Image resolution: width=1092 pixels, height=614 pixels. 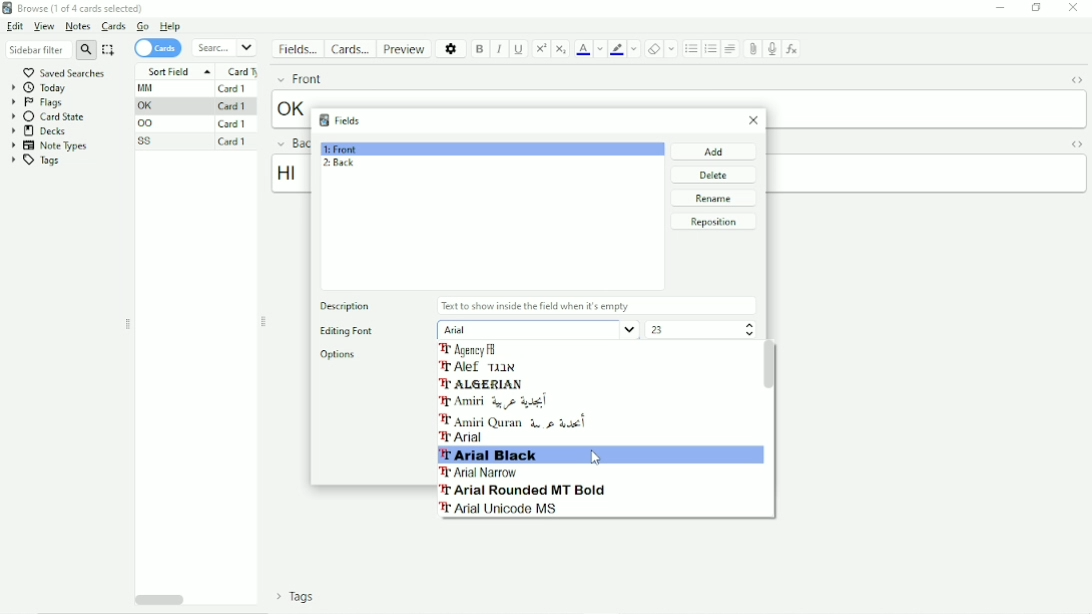 What do you see at coordinates (481, 49) in the screenshot?
I see `Bold` at bounding box center [481, 49].